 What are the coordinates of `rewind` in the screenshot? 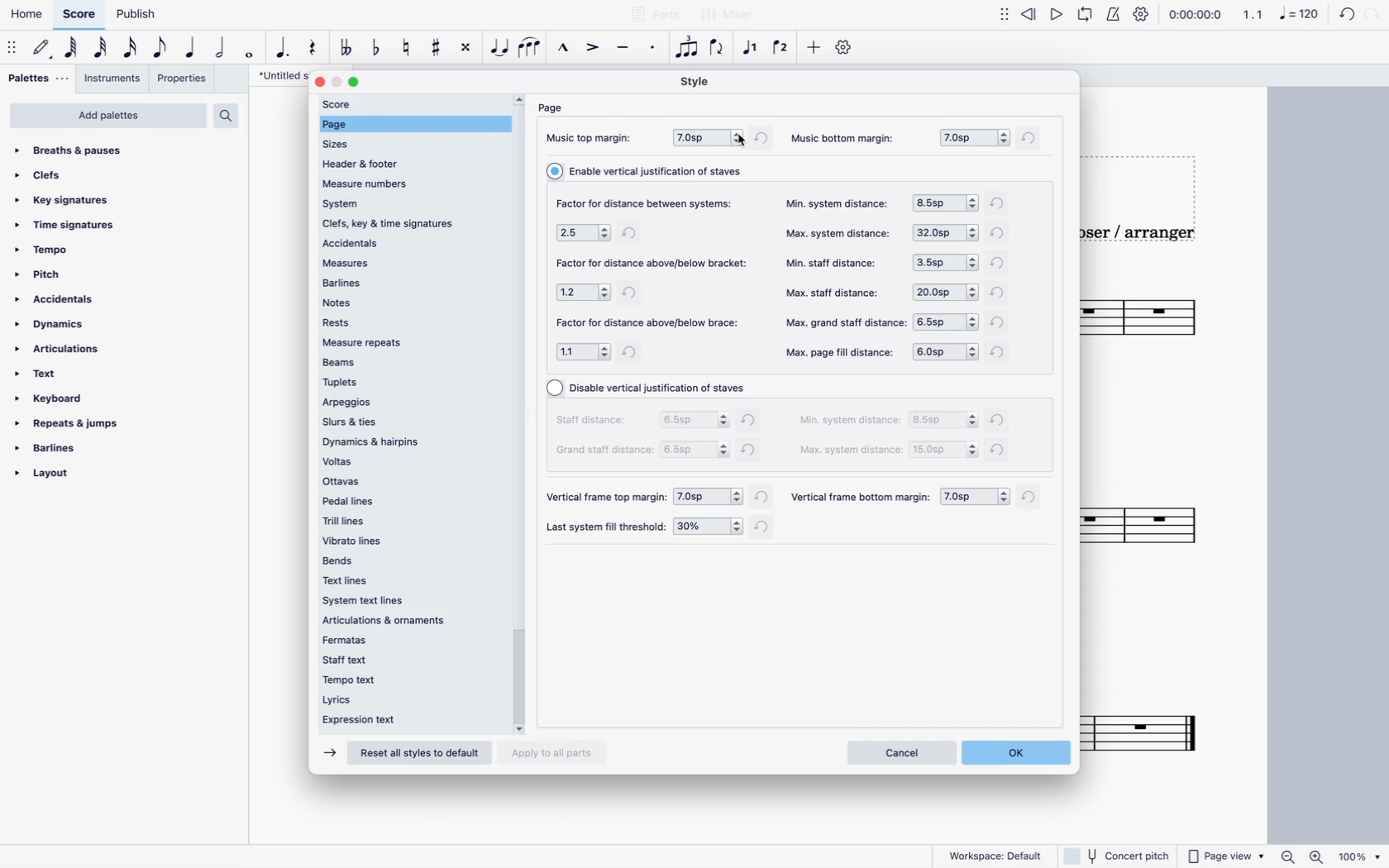 It's located at (1028, 18).